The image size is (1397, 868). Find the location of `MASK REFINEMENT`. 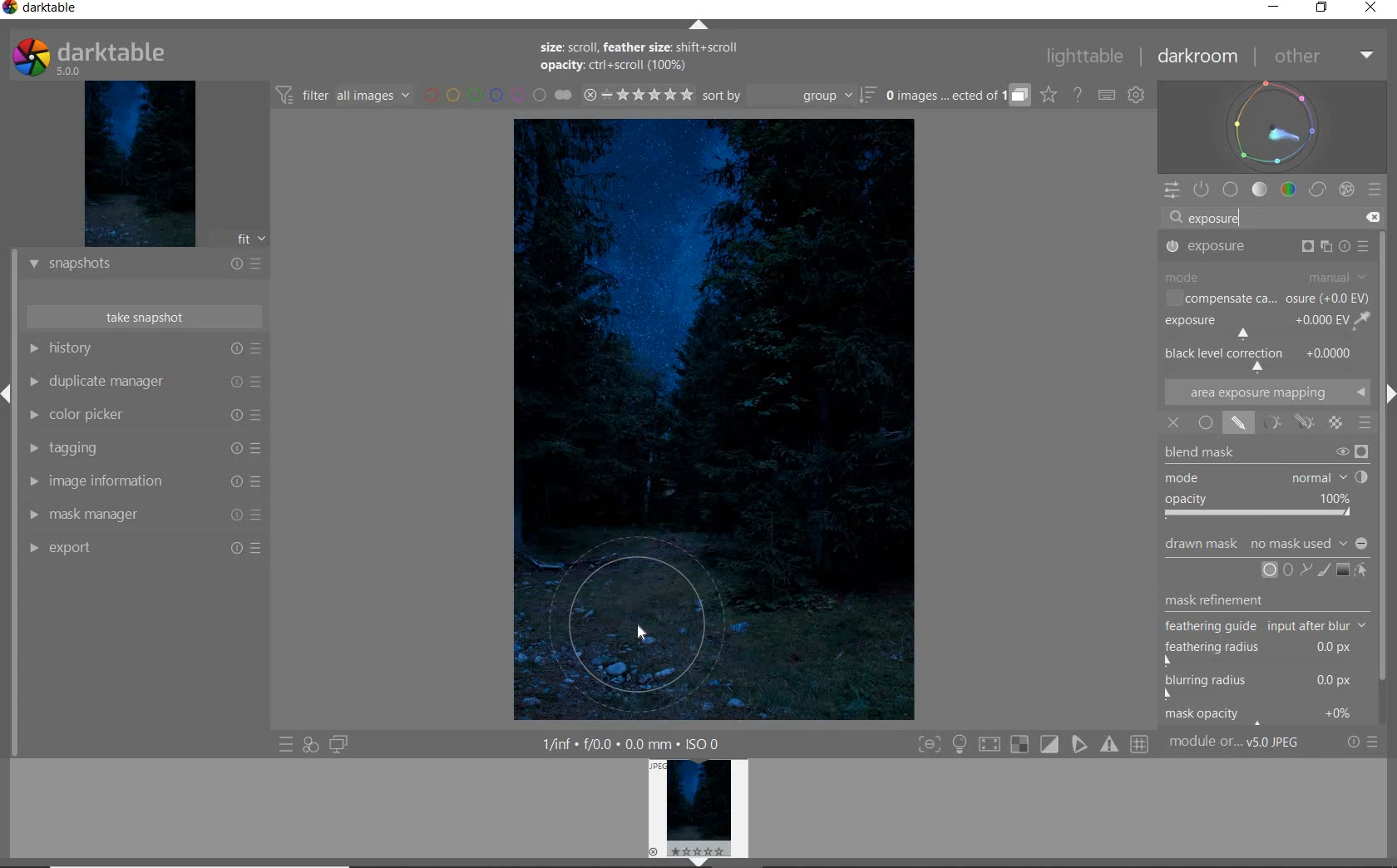

MASK REFINEMENT is located at coordinates (1268, 600).